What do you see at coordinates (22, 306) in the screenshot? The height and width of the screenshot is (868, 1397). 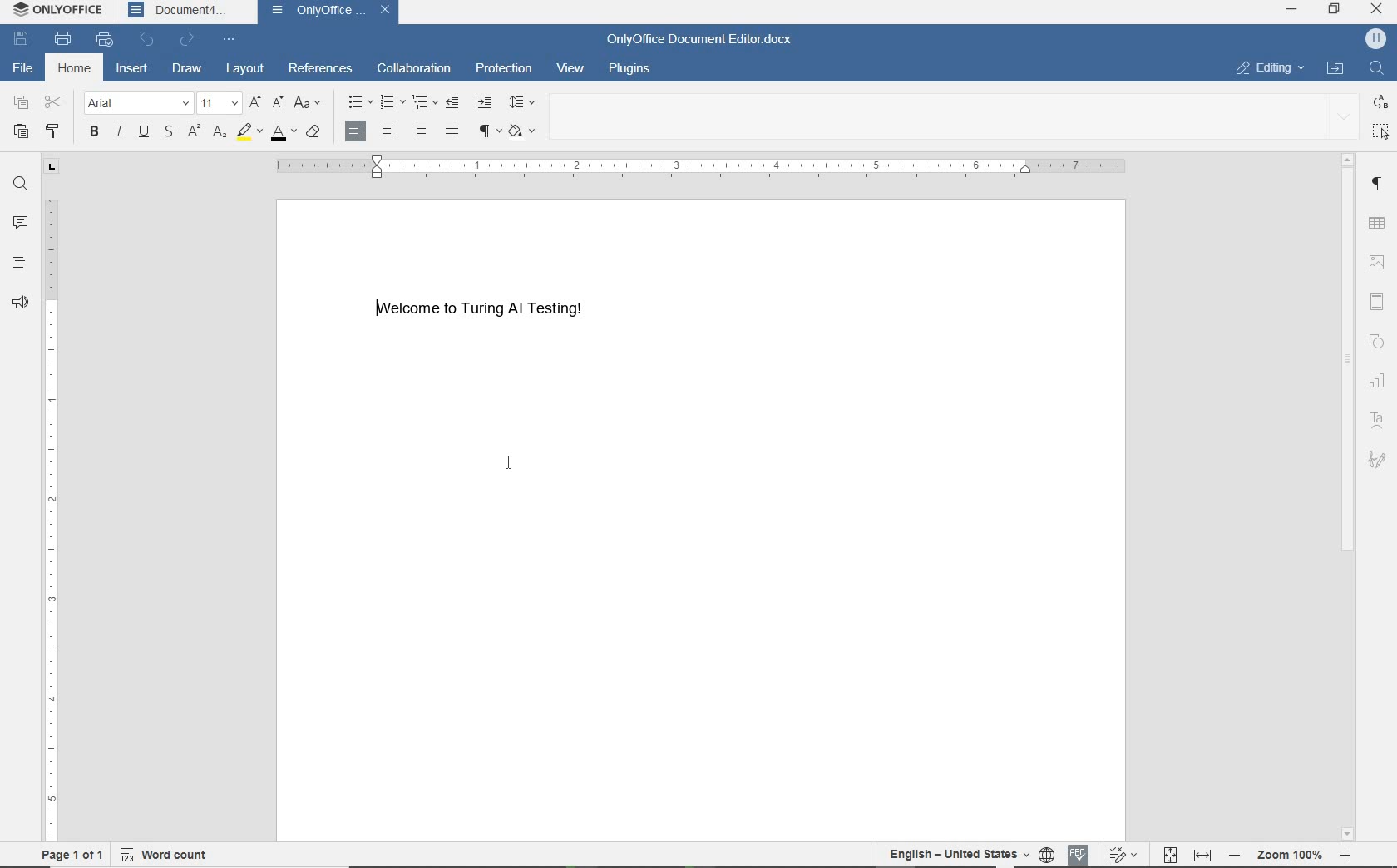 I see `feedback & support` at bounding box center [22, 306].